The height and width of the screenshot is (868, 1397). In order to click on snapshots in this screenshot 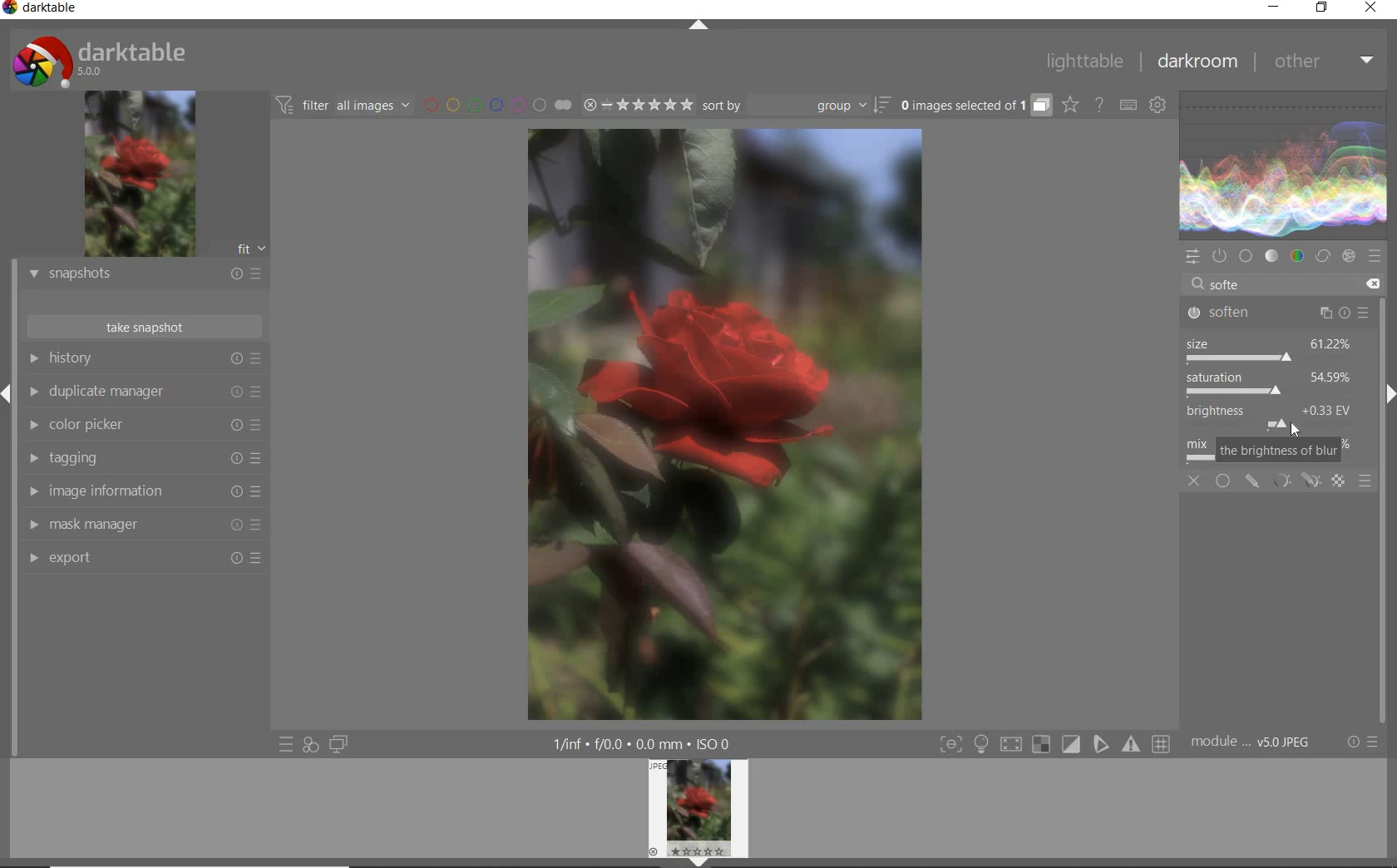, I will do `click(144, 275)`.